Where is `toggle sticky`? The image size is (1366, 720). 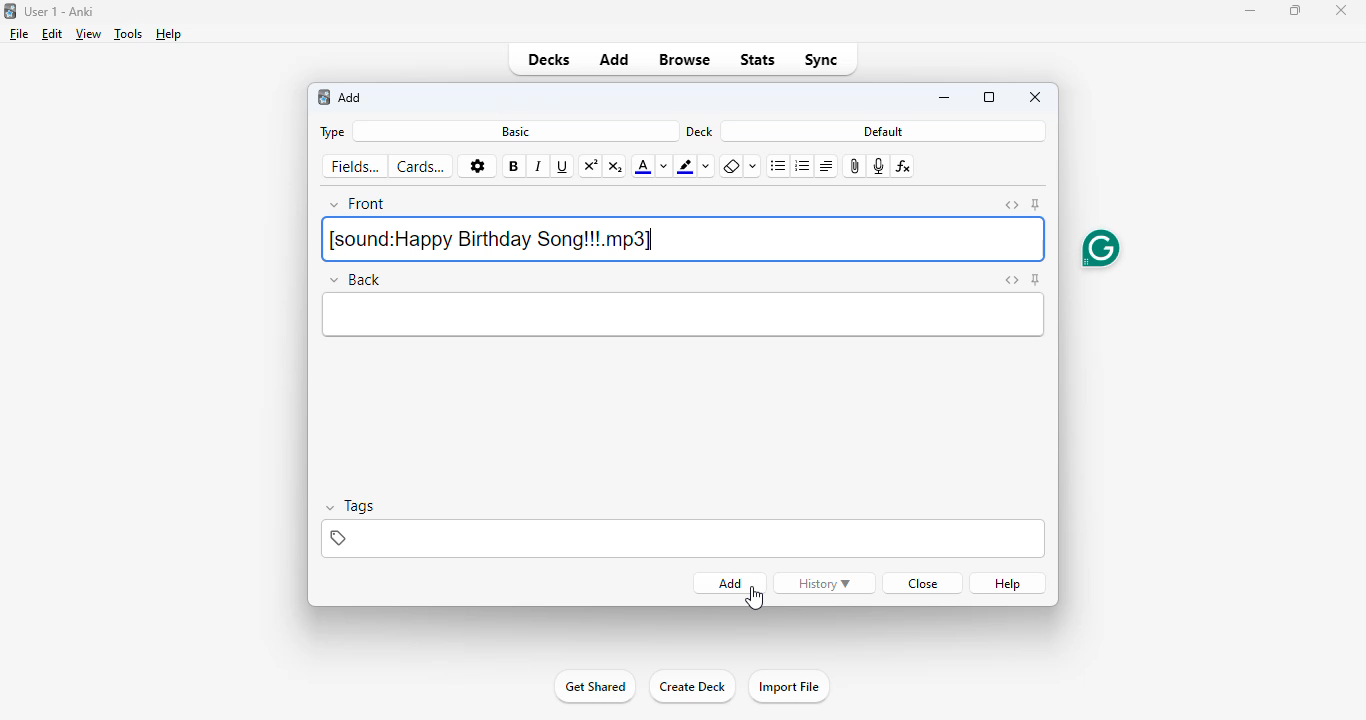 toggle sticky is located at coordinates (1036, 280).